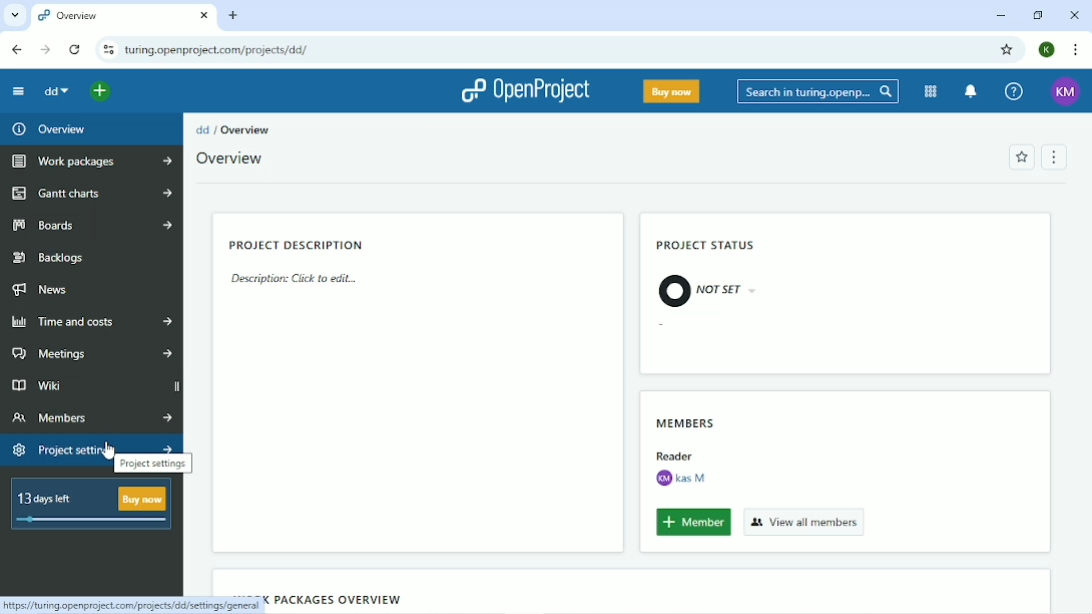  What do you see at coordinates (91, 162) in the screenshot?
I see `Work packages` at bounding box center [91, 162].